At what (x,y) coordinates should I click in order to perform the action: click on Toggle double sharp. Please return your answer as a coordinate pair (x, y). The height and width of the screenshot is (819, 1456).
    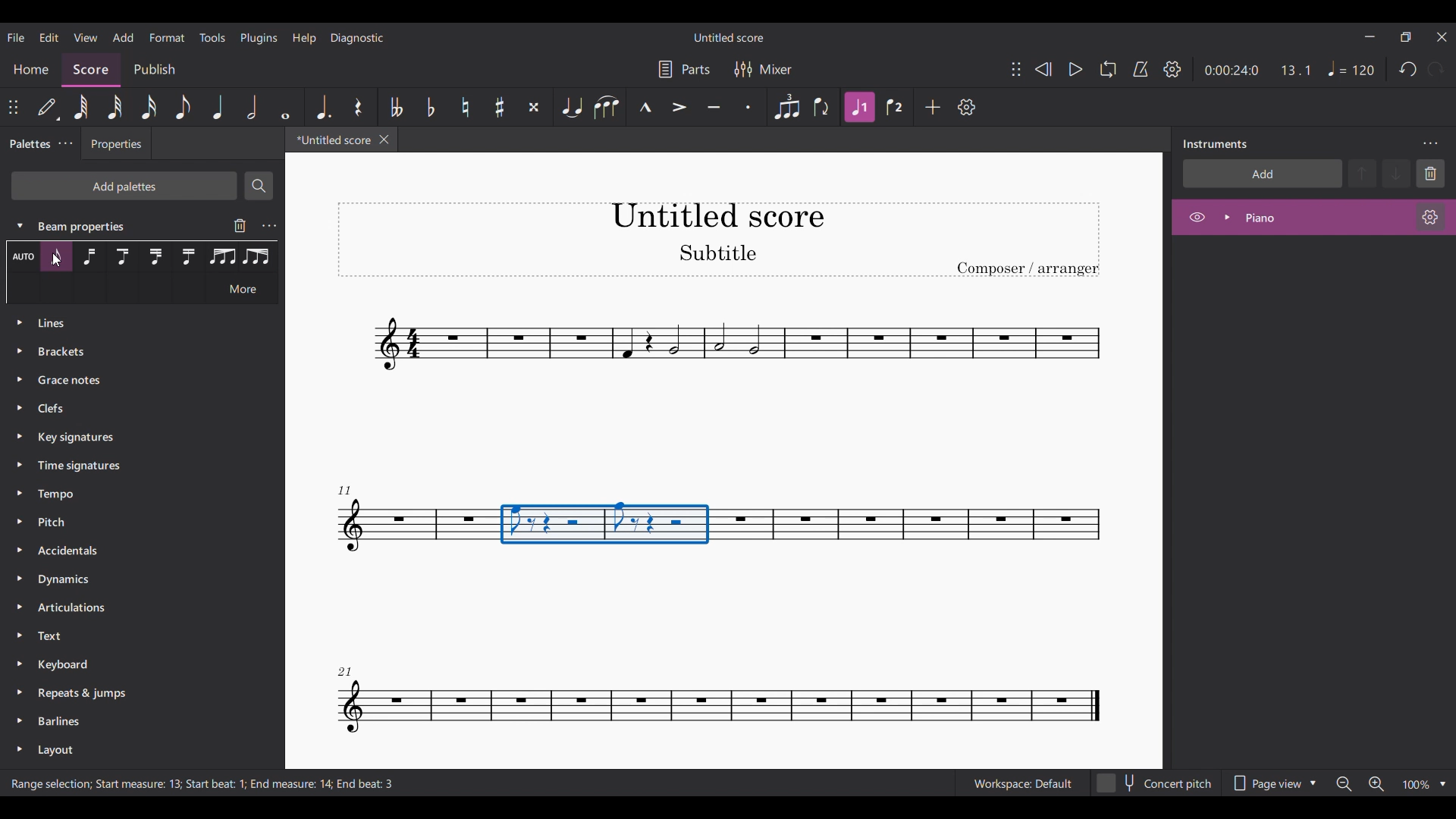
    Looking at the image, I should click on (535, 107).